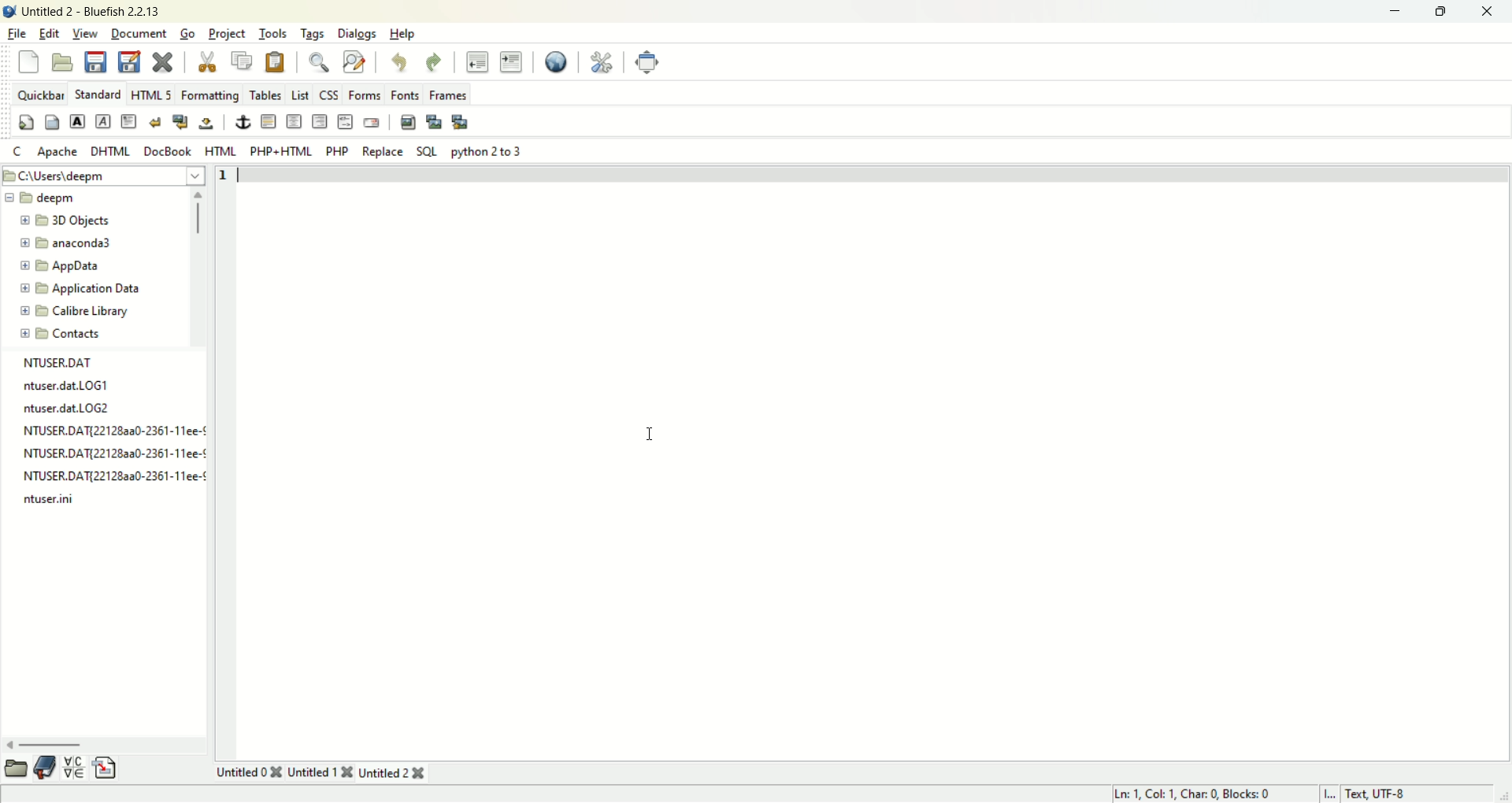 Image resolution: width=1512 pixels, height=803 pixels. What do you see at coordinates (264, 94) in the screenshot?
I see `tables` at bounding box center [264, 94].